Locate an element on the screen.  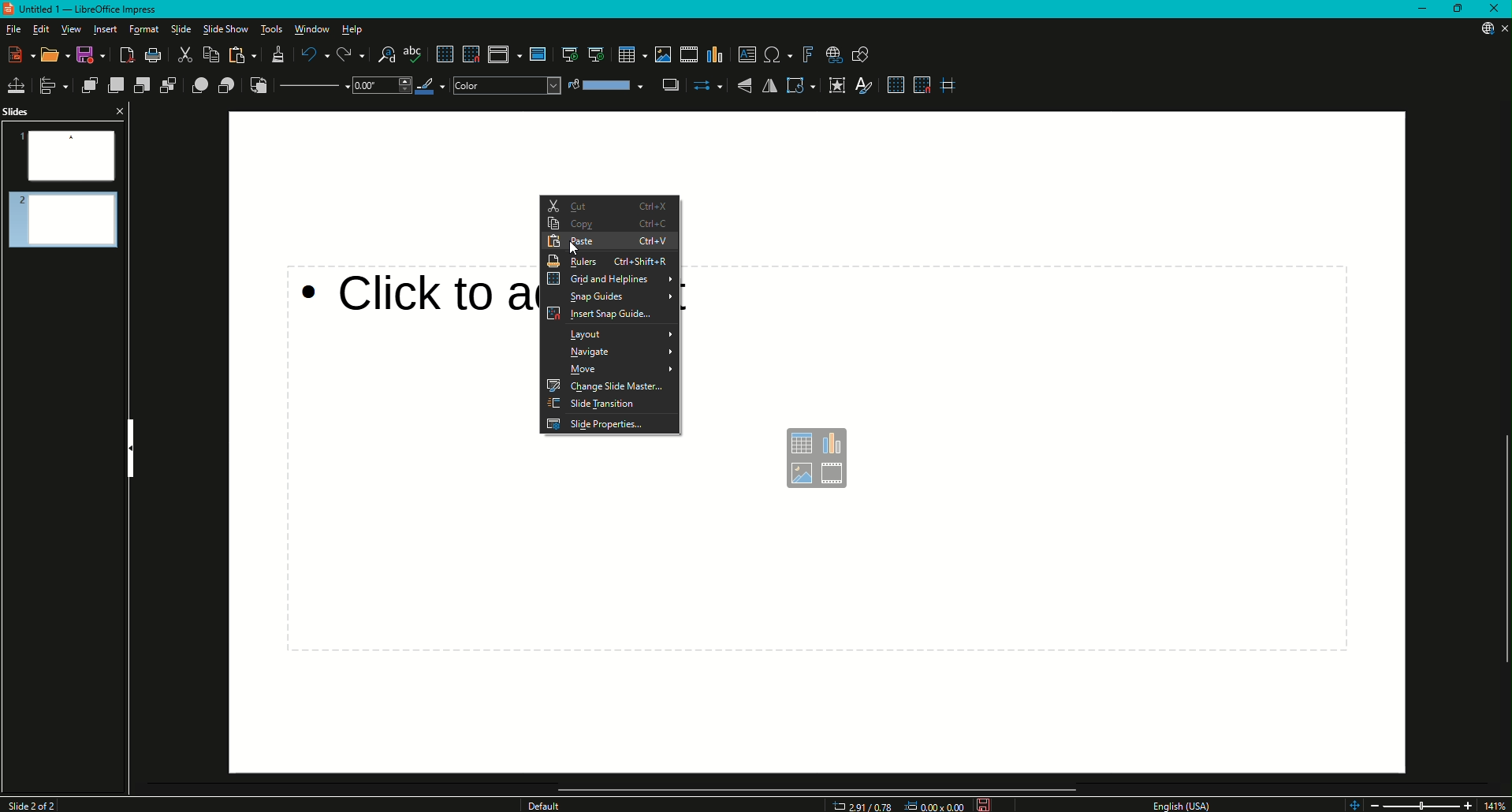
Help is located at coordinates (356, 28).